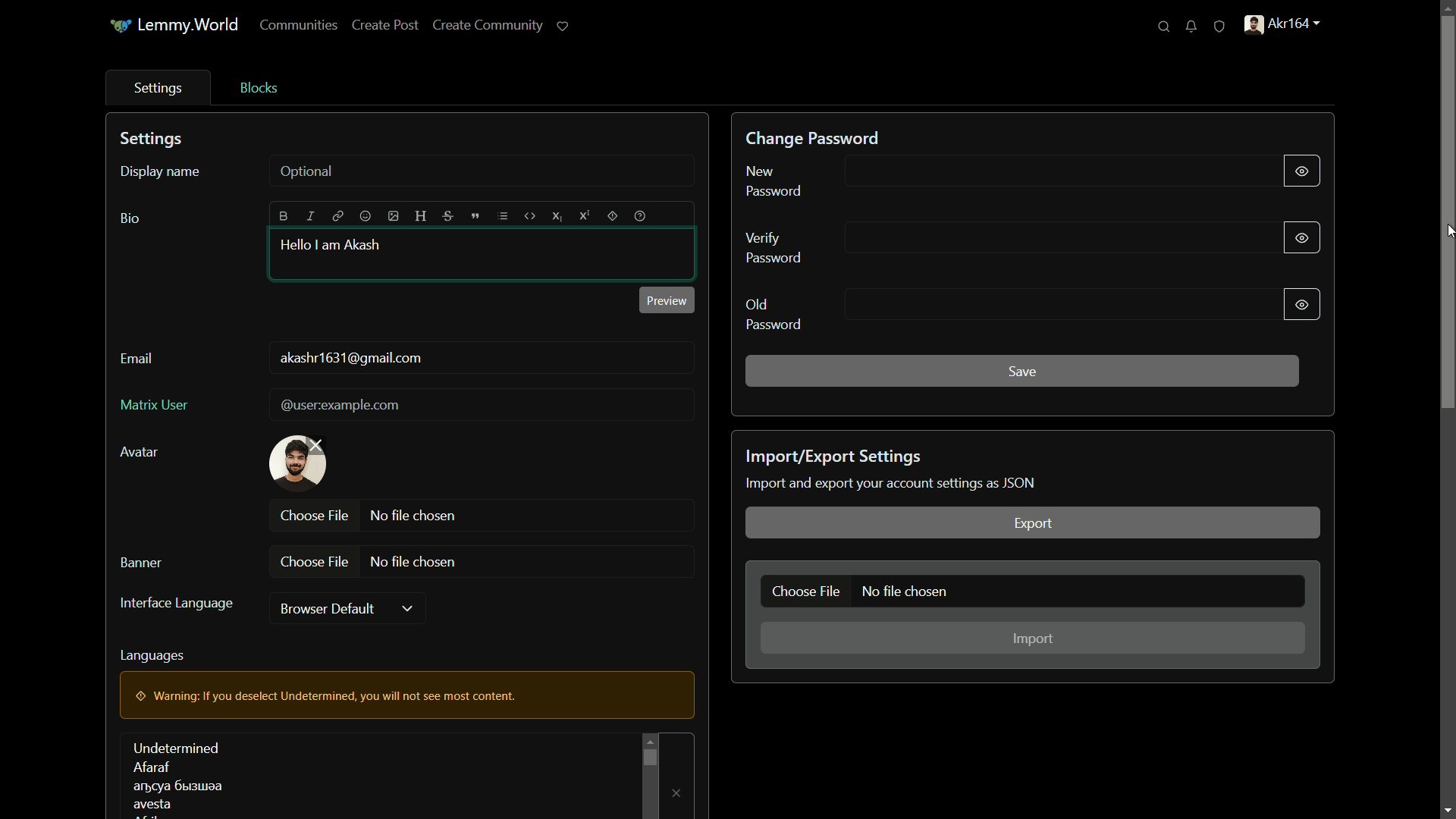 Image resolution: width=1456 pixels, height=819 pixels. What do you see at coordinates (1447, 231) in the screenshot?
I see `cursor` at bounding box center [1447, 231].